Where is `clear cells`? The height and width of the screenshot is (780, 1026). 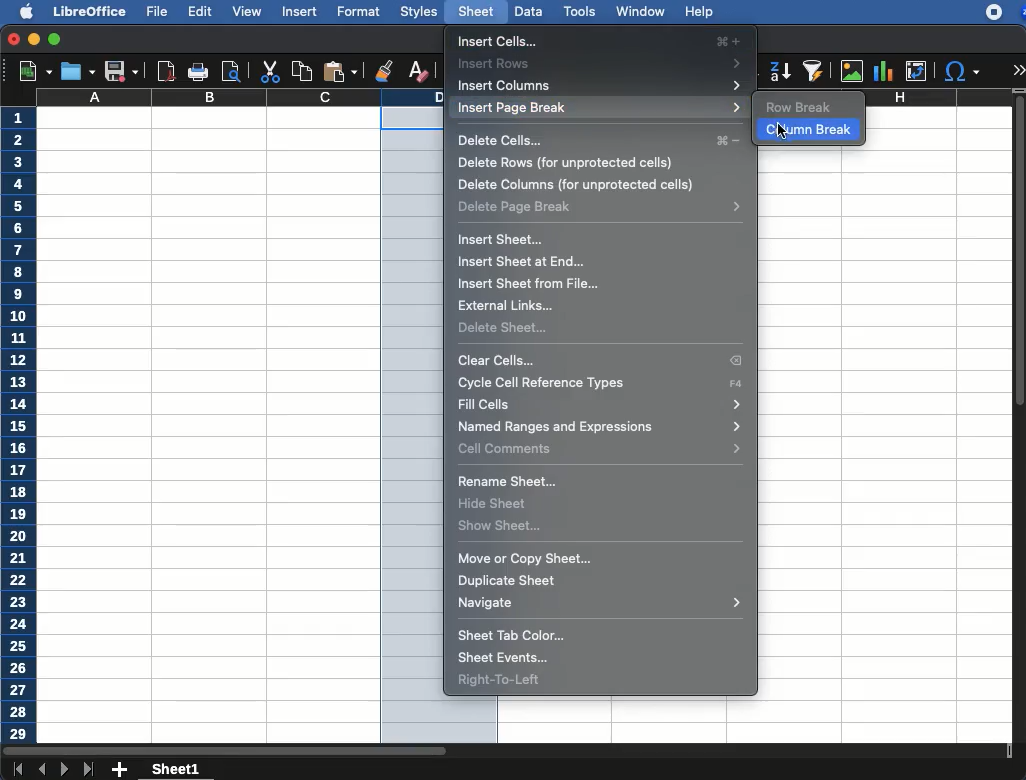 clear cells is located at coordinates (601, 361).